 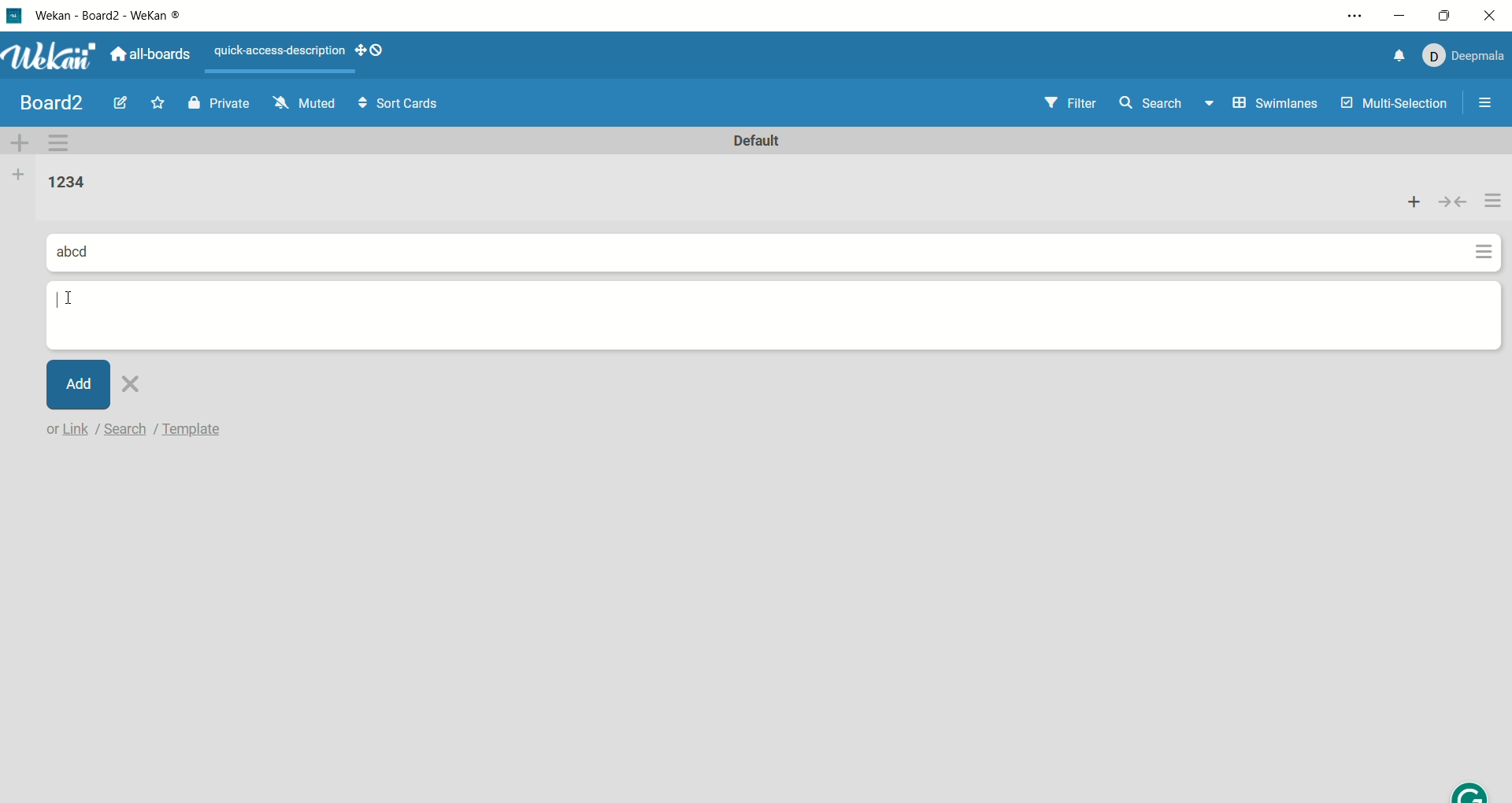 What do you see at coordinates (119, 105) in the screenshot?
I see `edit` at bounding box center [119, 105].